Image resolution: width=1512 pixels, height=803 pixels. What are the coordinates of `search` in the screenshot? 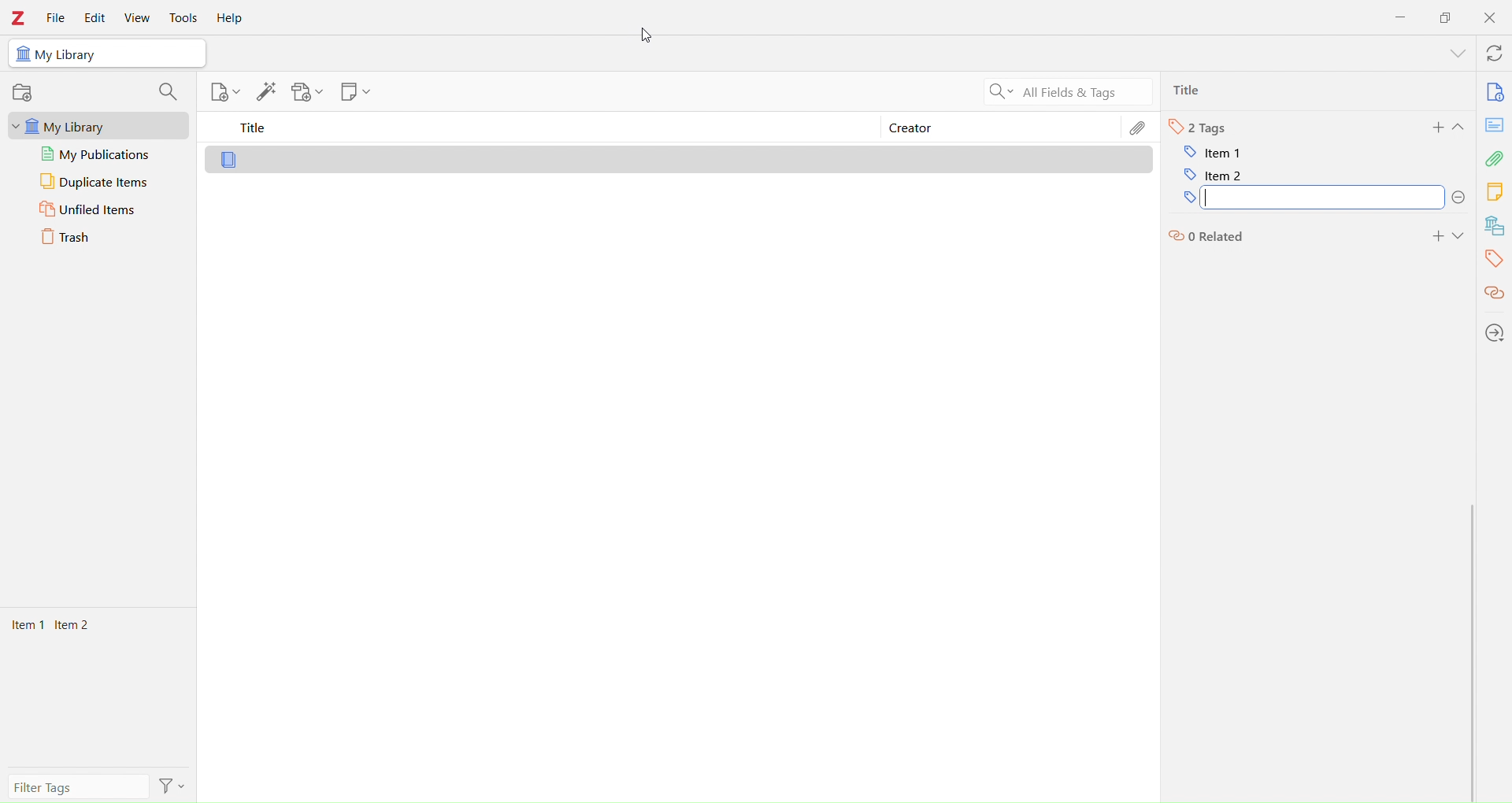 It's located at (169, 94).